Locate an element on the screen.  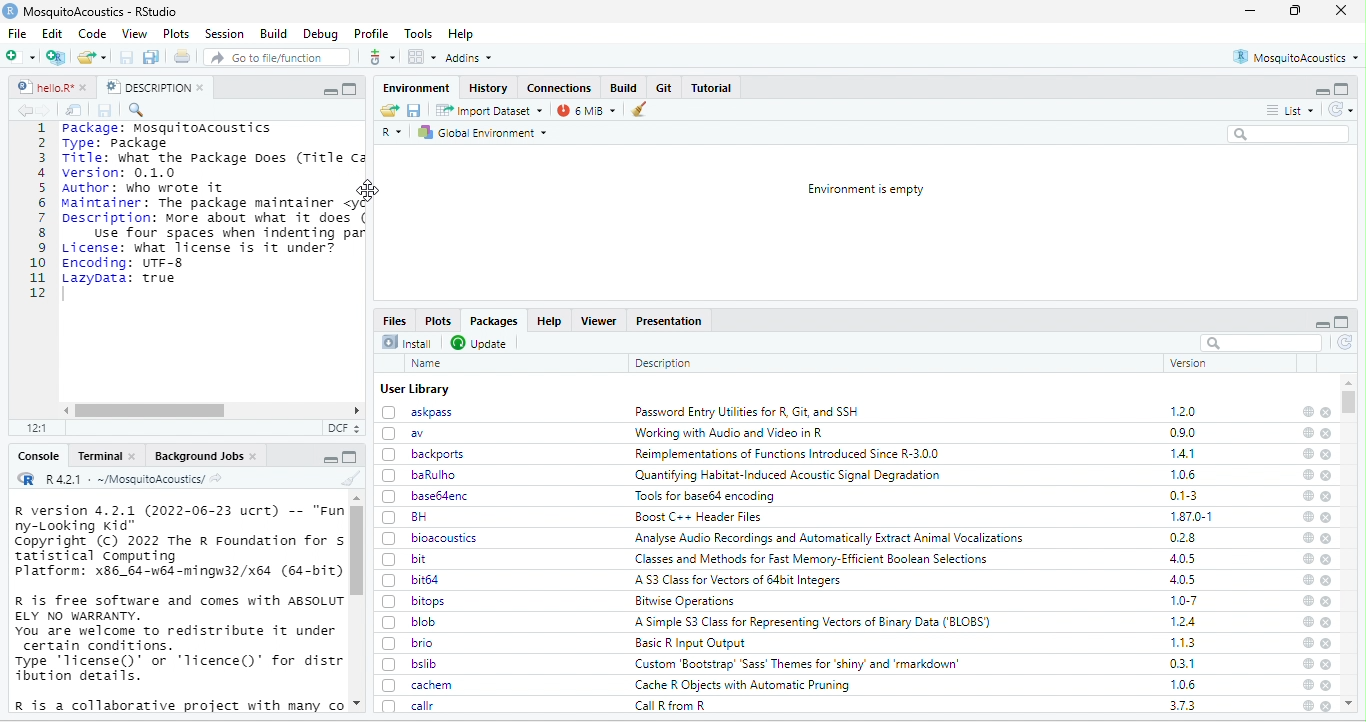
av is located at coordinates (409, 434).